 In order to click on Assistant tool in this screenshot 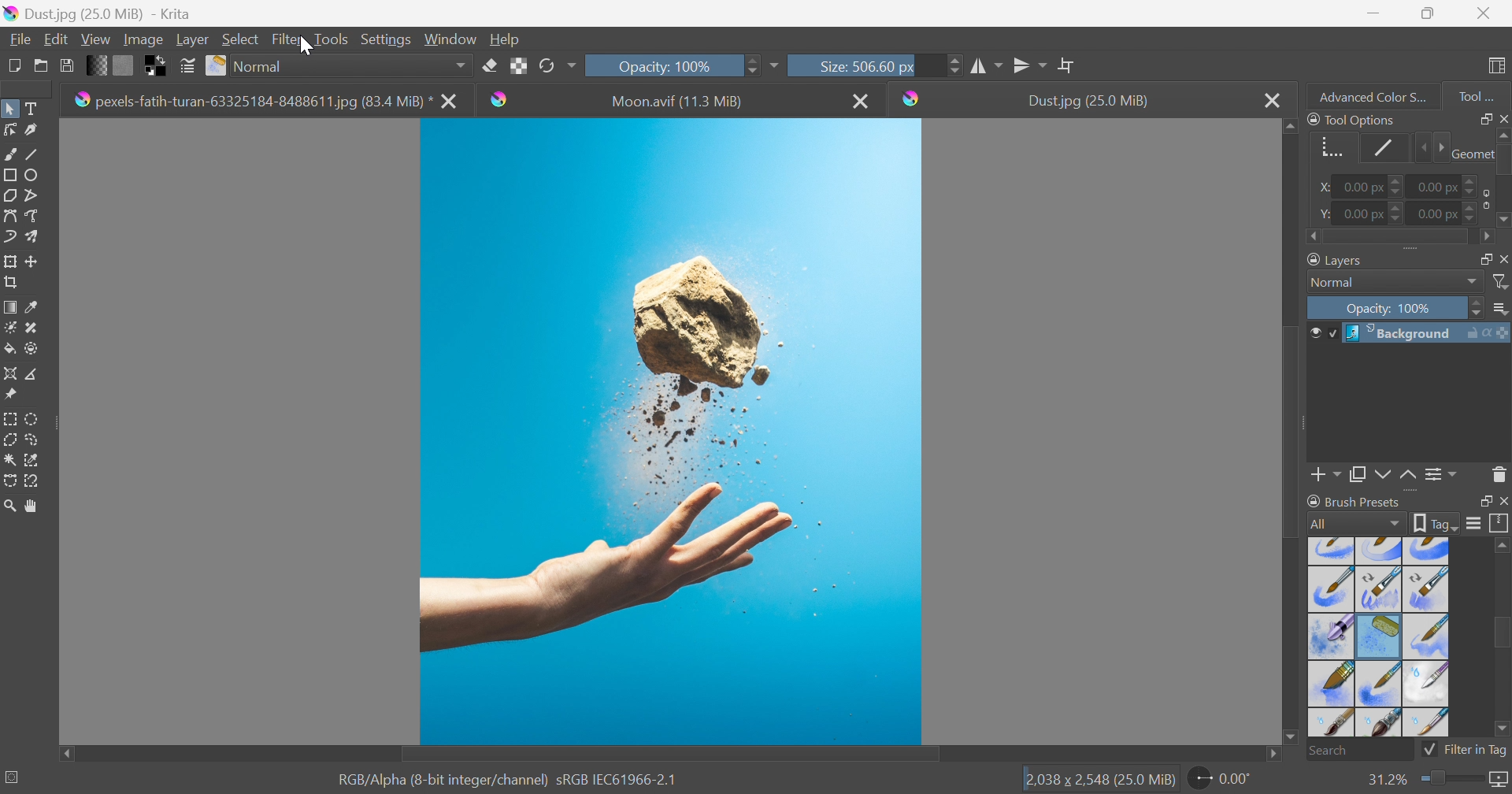, I will do `click(9, 372)`.